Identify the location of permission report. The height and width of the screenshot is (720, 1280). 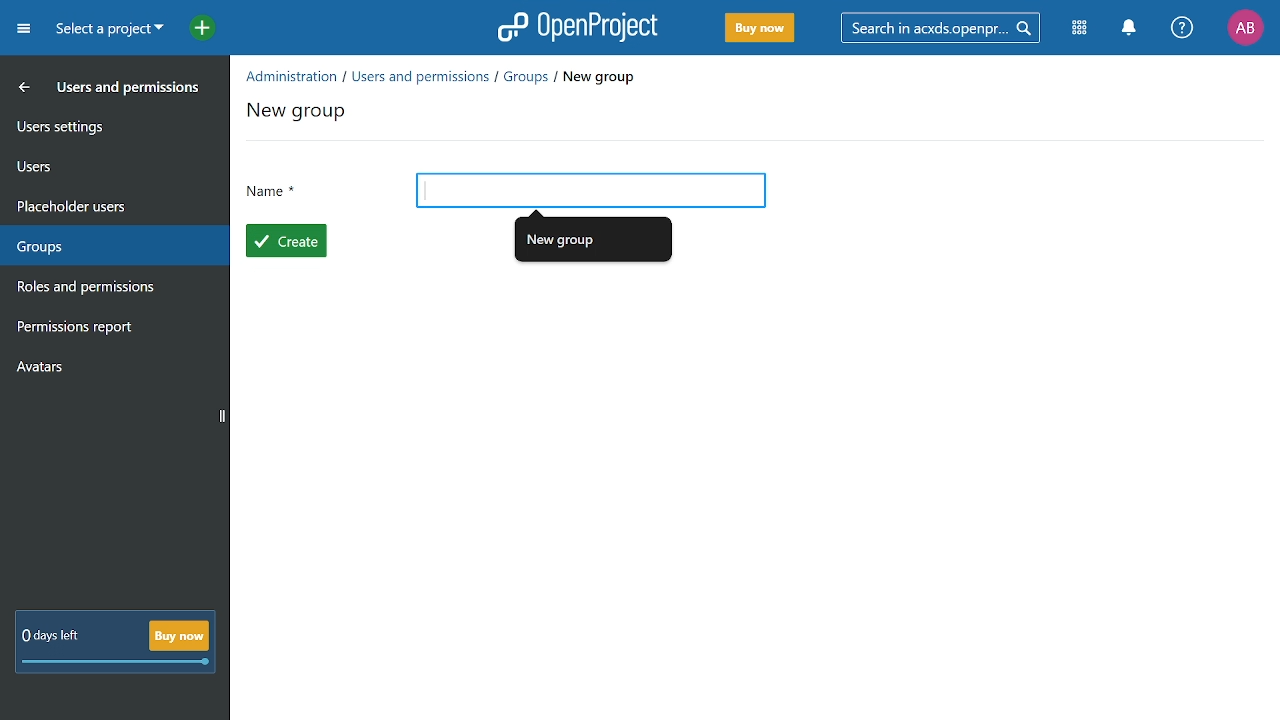
(107, 329).